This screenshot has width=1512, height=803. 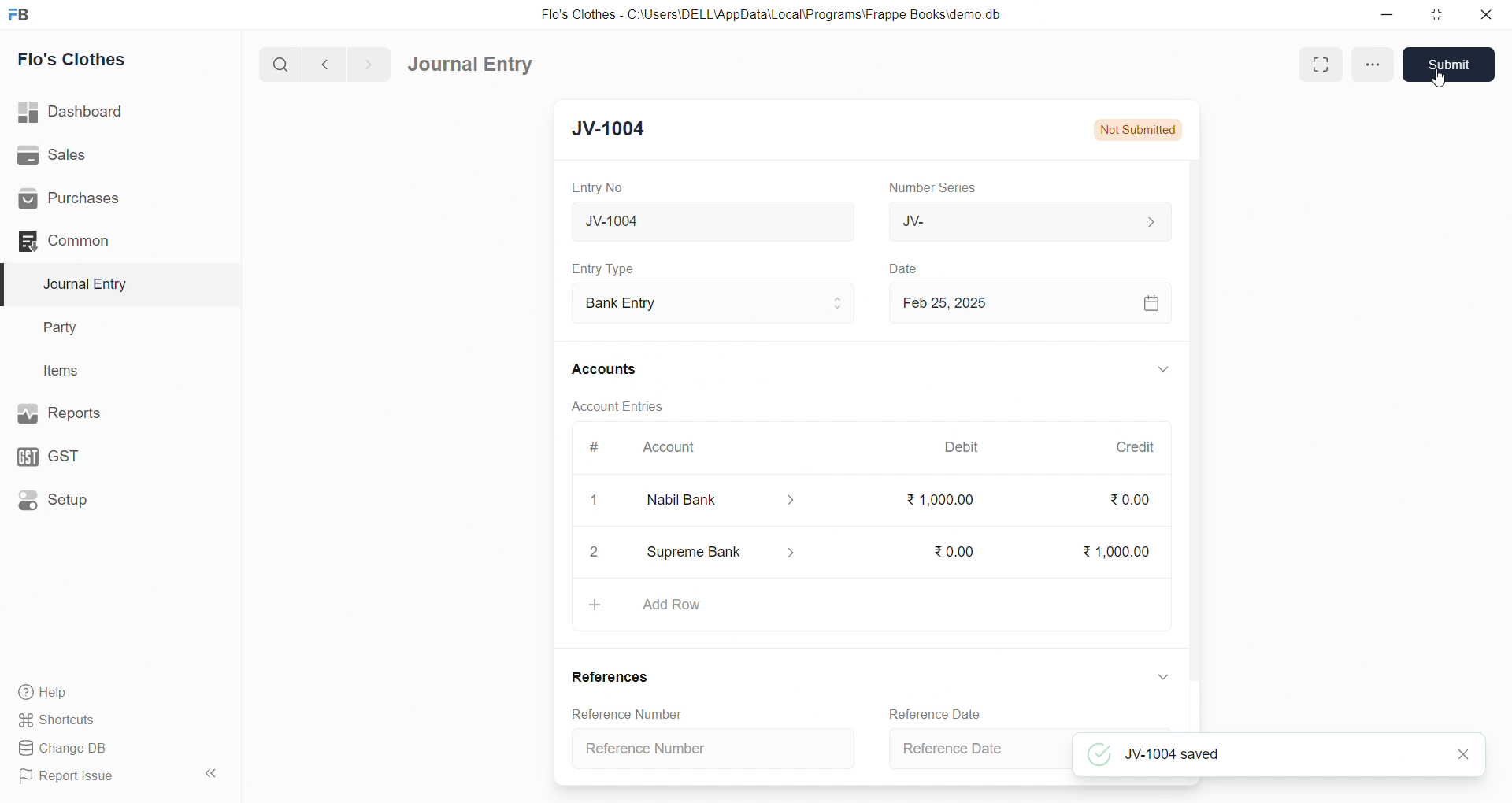 What do you see at coordinates (1256, 753) in the screenshot?
I see `JV-004 SAVED` at bounding box center [1256, 753].